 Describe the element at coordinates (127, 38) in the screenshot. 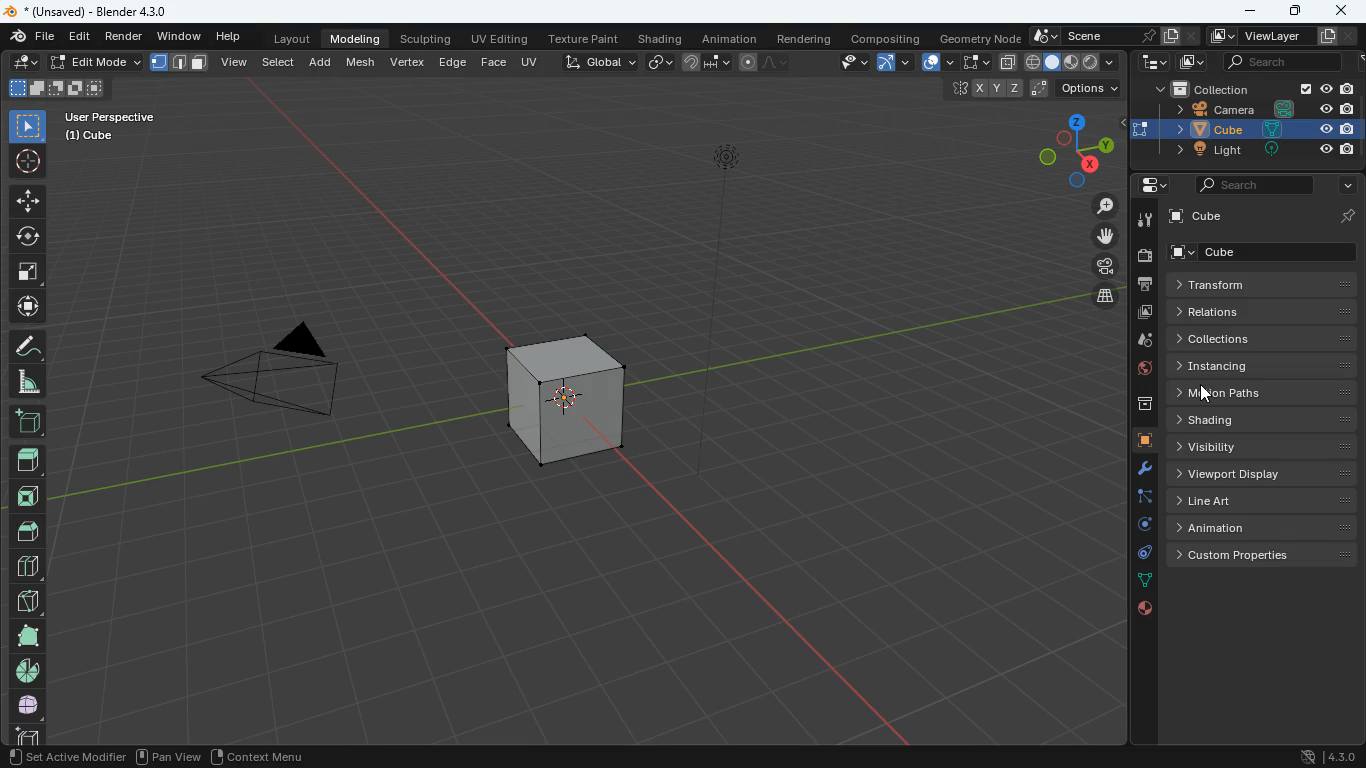

I see `render` at that location.